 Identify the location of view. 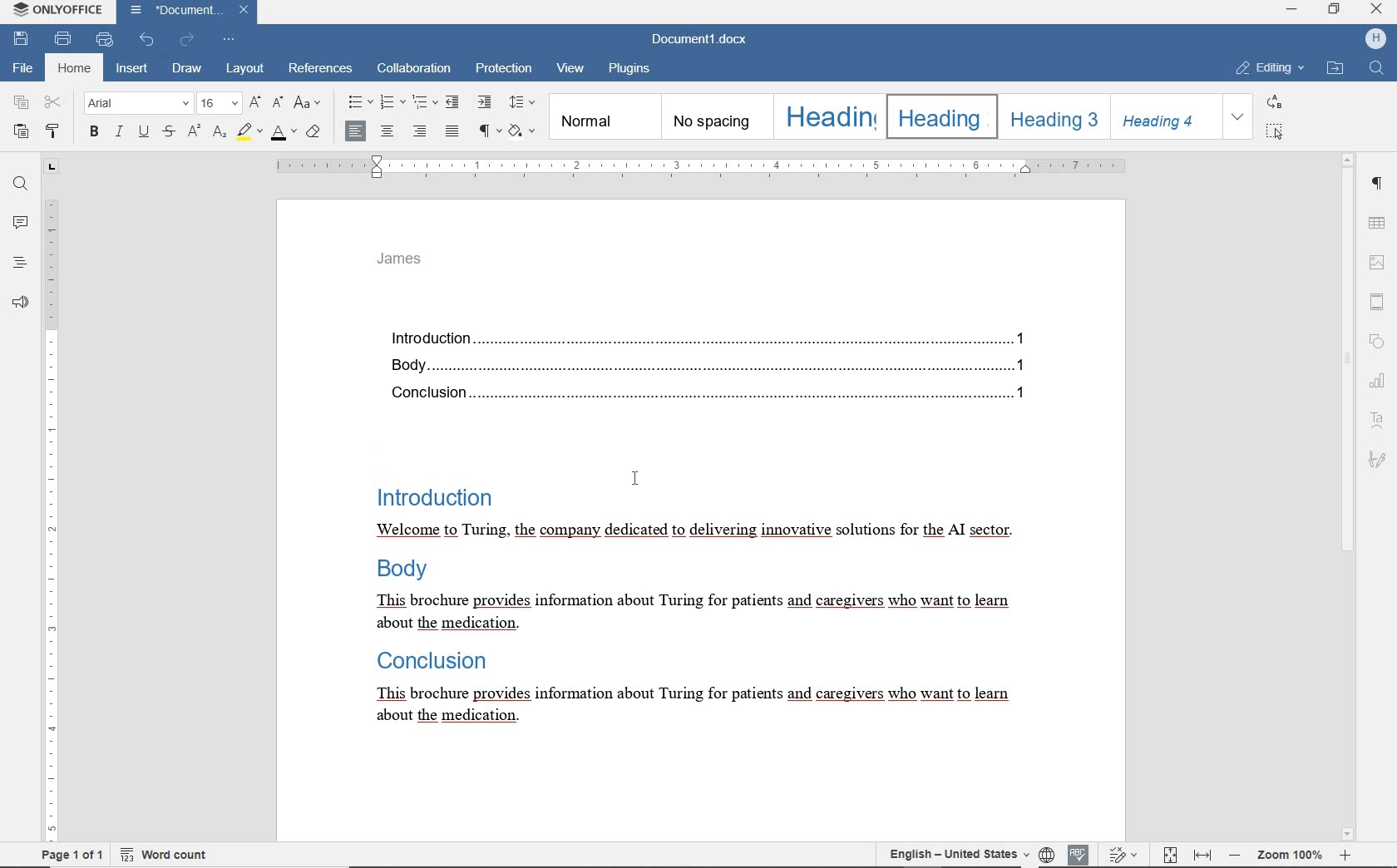
(573, 71).